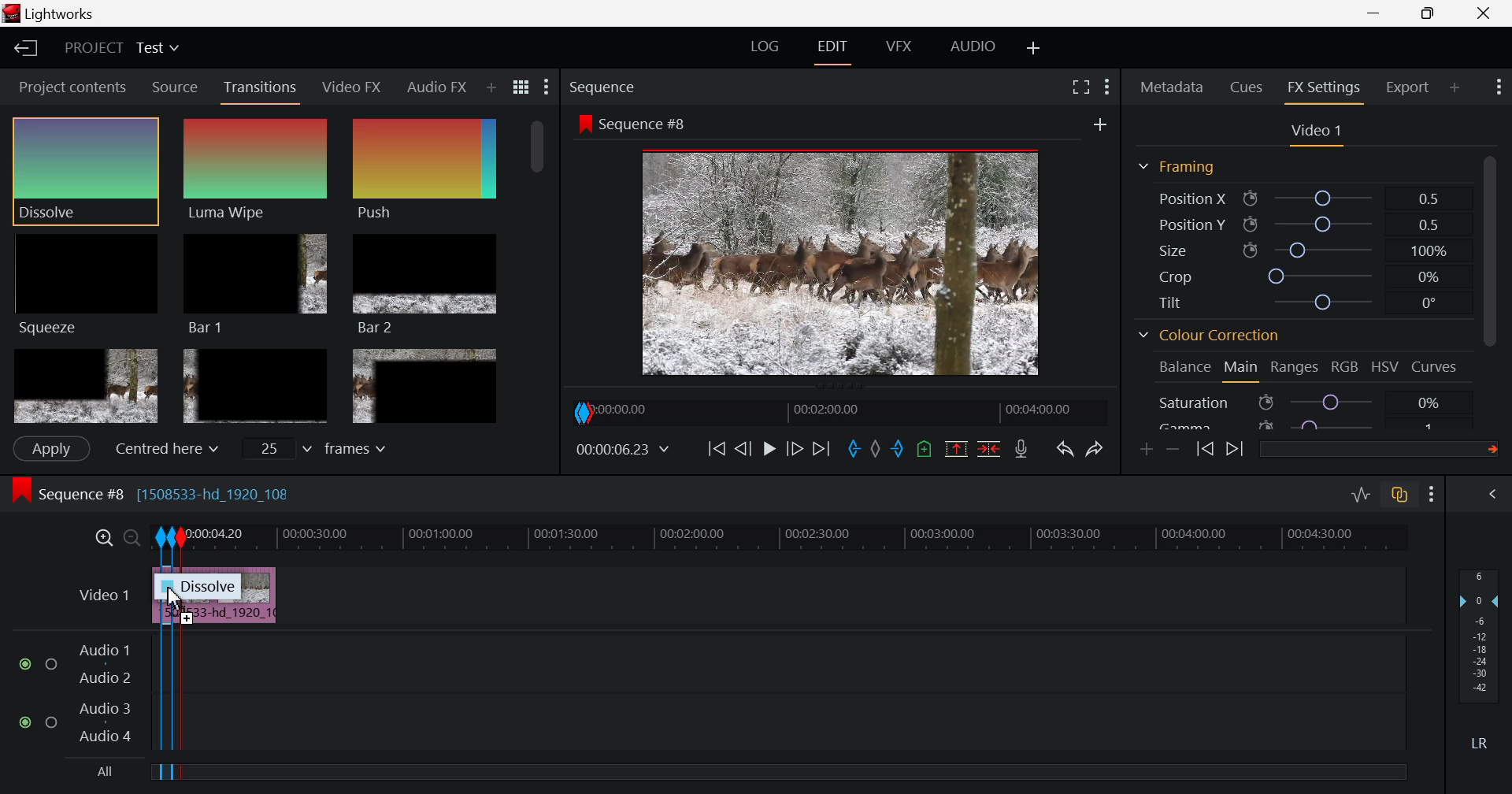 The width and height of the screenshot is (1512, 794). Describe the element at coordinates (255, 285) in the screenshot. I see `Bar 1` at that location.